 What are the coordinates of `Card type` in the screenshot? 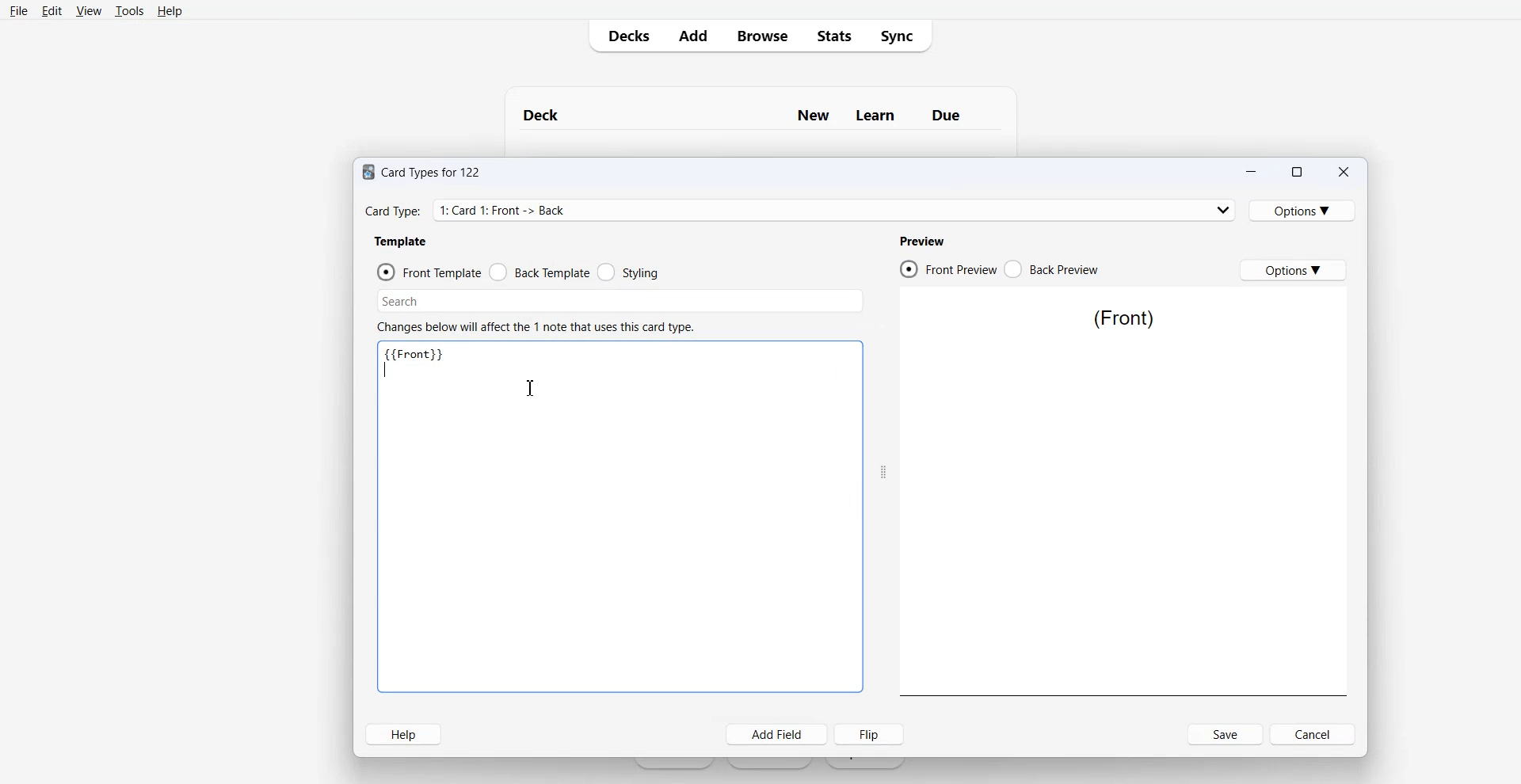 It's located at (799, 209).